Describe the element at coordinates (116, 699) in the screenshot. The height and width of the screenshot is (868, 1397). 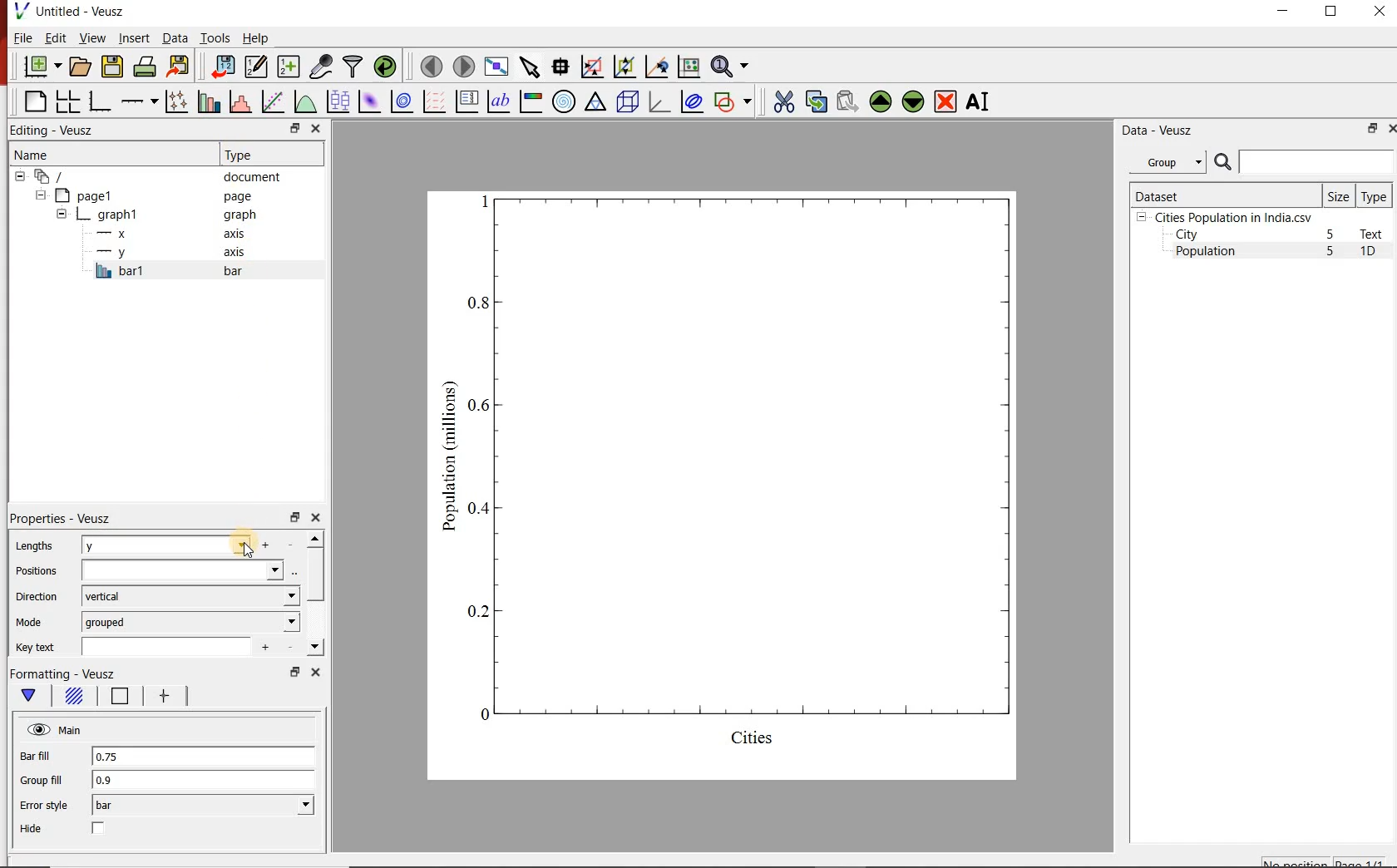
I see `Line` at that location.